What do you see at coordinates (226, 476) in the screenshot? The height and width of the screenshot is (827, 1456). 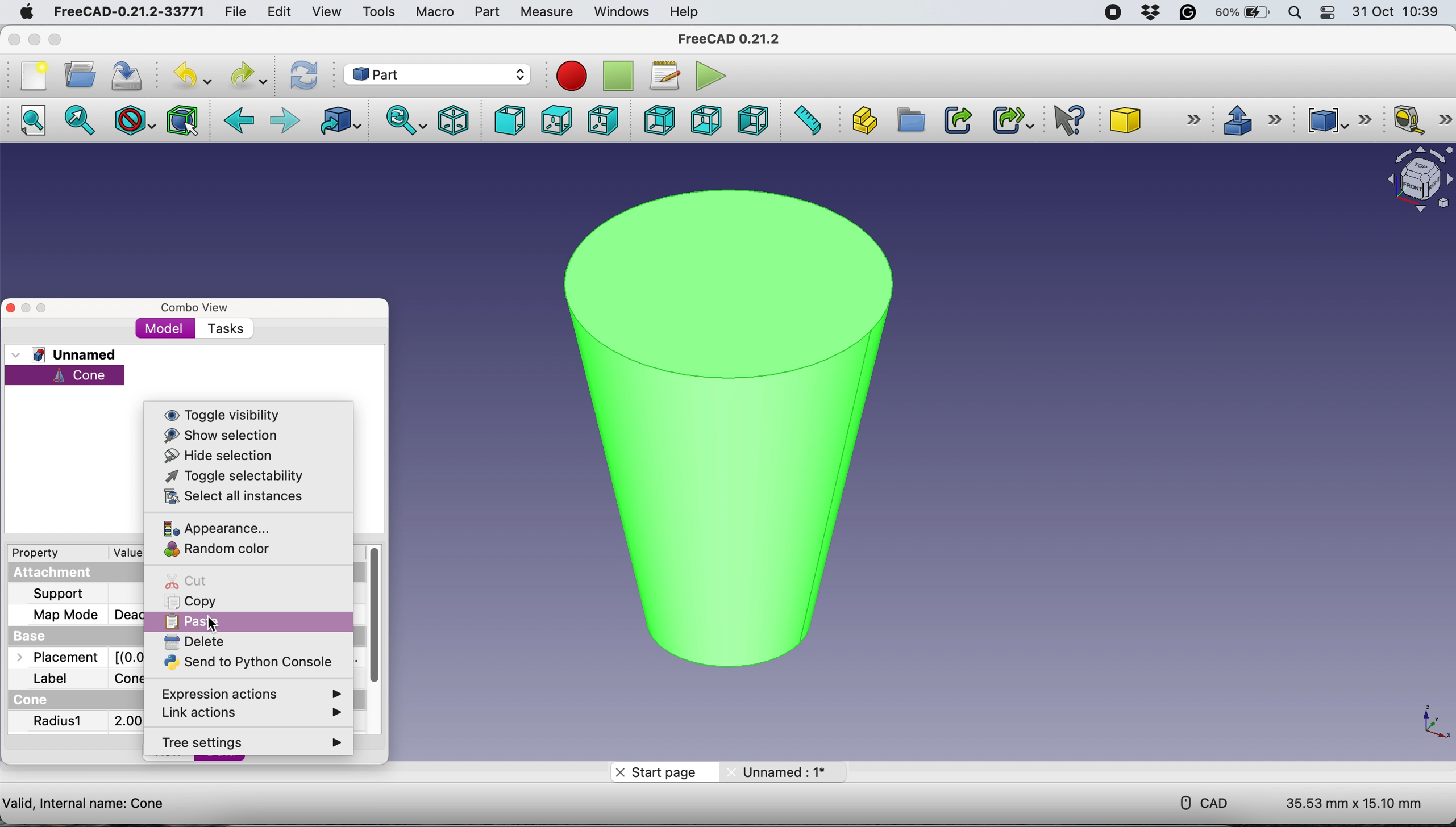 I see `toggle selectability` at bounding box center [226, 476].